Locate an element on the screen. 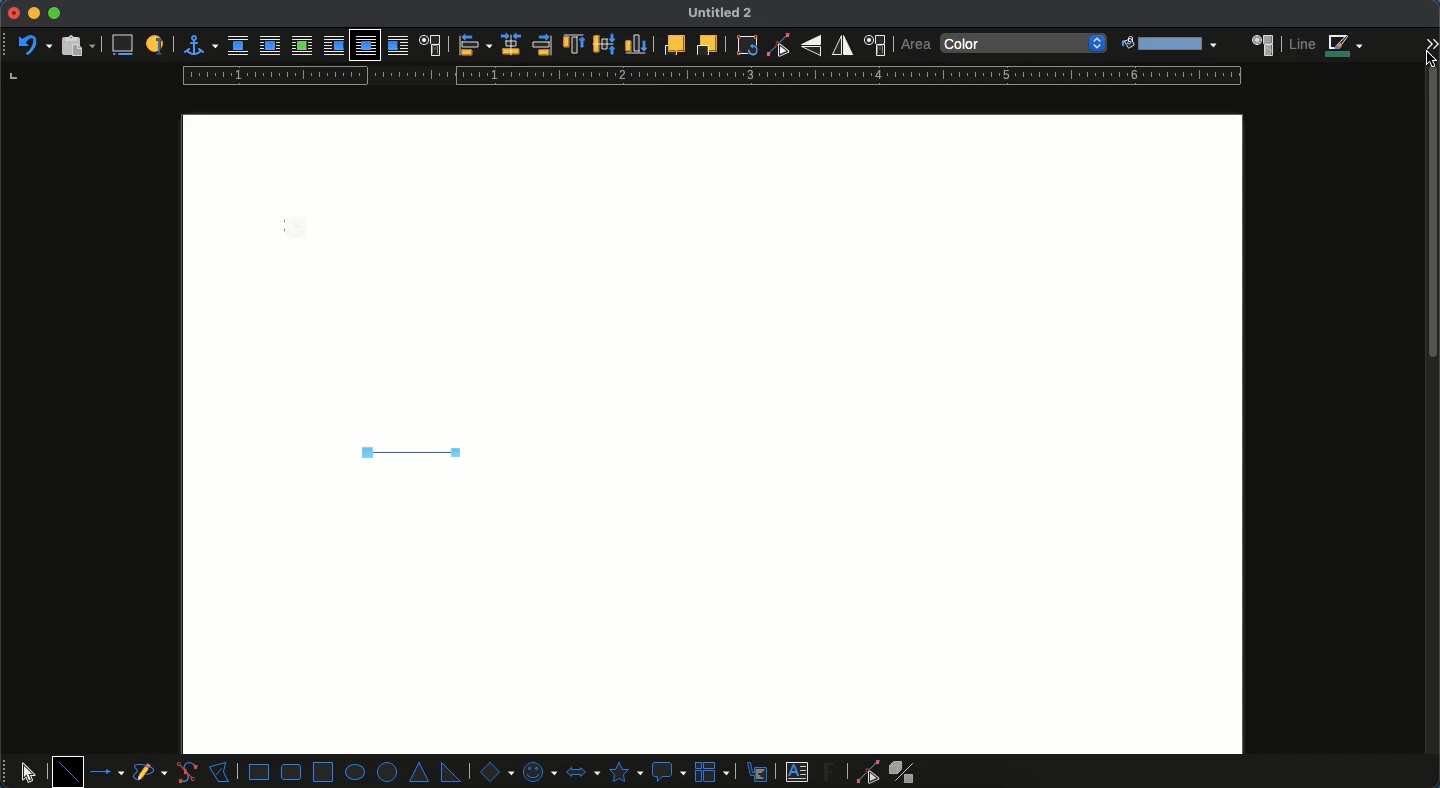 This screenshot has height=788, width=1440. back one is located at coordinates (705, 44).